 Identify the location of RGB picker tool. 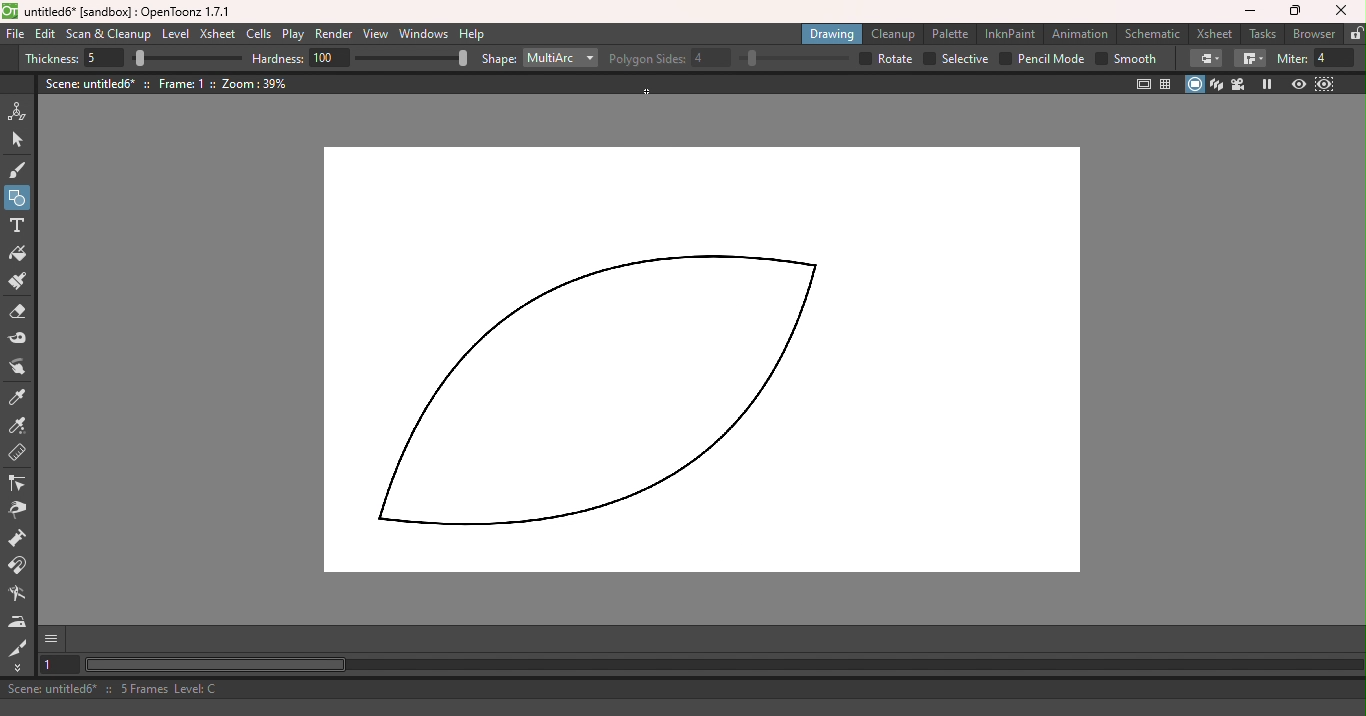
(19, 426).